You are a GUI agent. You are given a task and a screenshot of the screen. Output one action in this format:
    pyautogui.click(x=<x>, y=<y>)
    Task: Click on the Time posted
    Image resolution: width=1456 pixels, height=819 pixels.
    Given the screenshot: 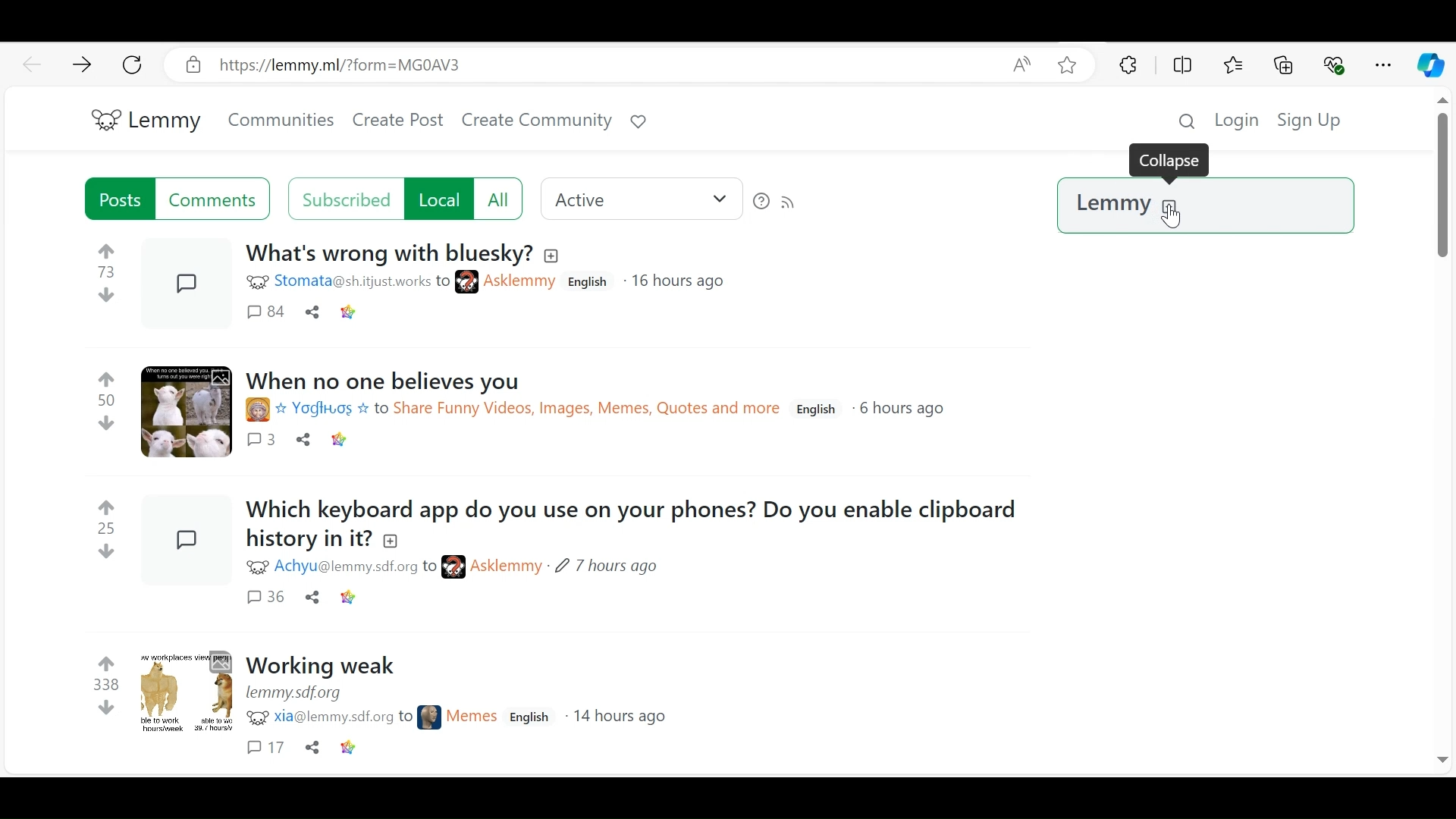 What is the action you would take?
    pyautogui.click(x=623, y=718)
    